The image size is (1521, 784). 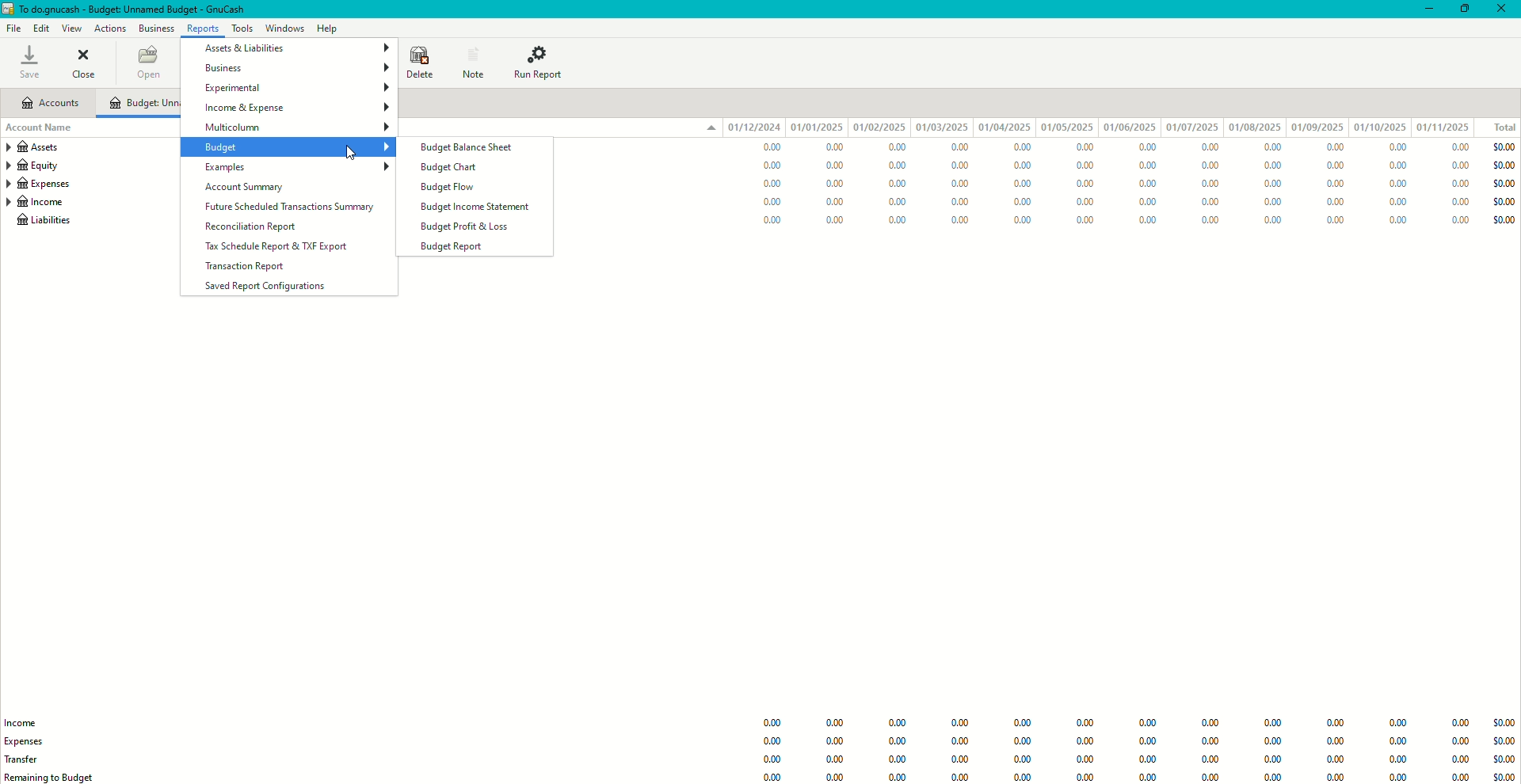 I want to click on 0.00, so click(x=898, y=200).